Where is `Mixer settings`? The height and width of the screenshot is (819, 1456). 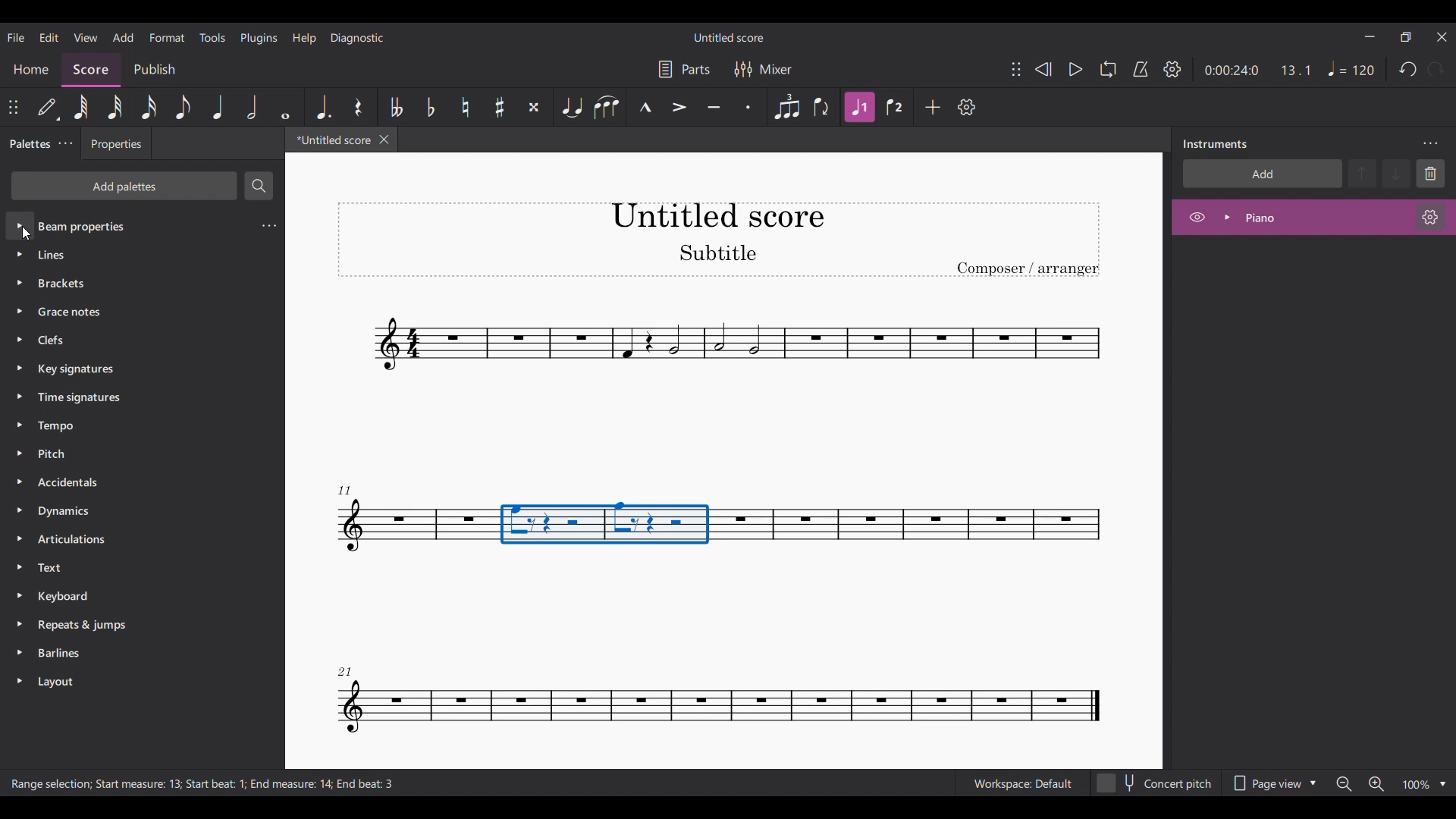 Mixer settings is located at coordinates (764, 69).